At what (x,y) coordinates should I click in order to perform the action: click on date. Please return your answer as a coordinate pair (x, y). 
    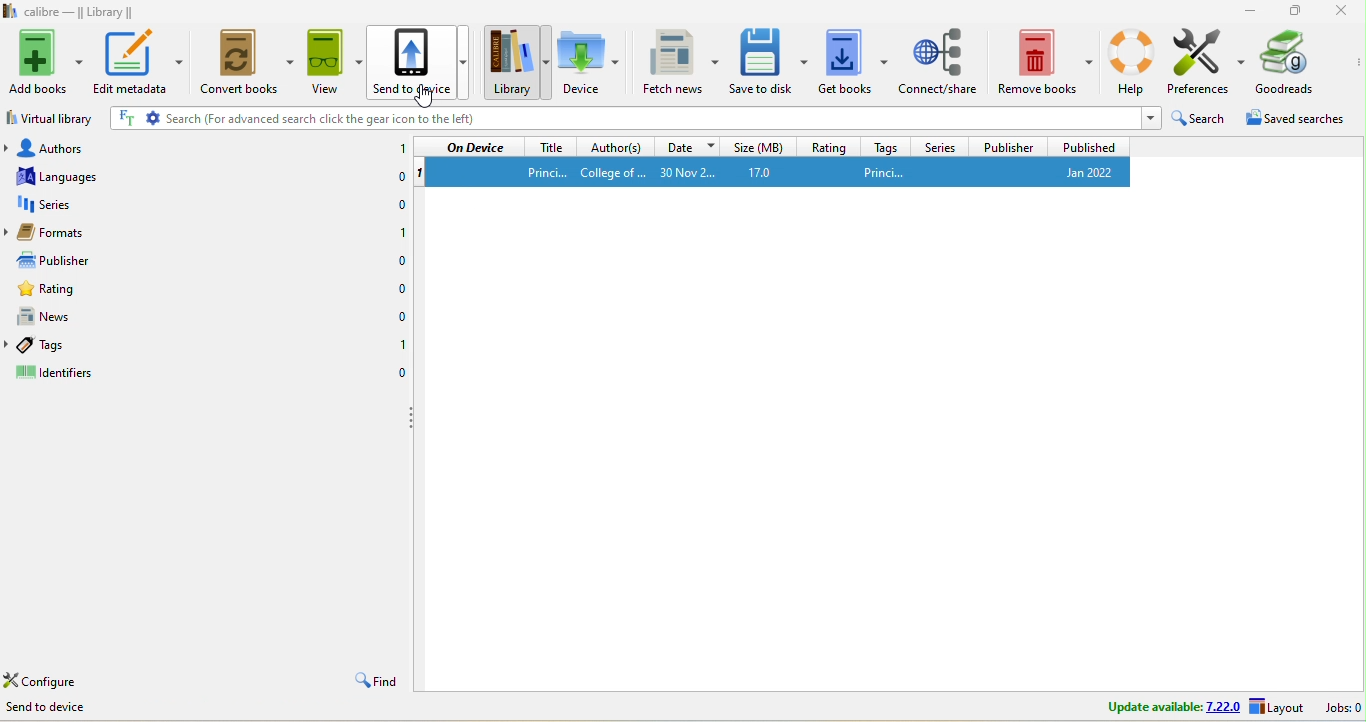
    Looking at the image, I should click on (692, 147).